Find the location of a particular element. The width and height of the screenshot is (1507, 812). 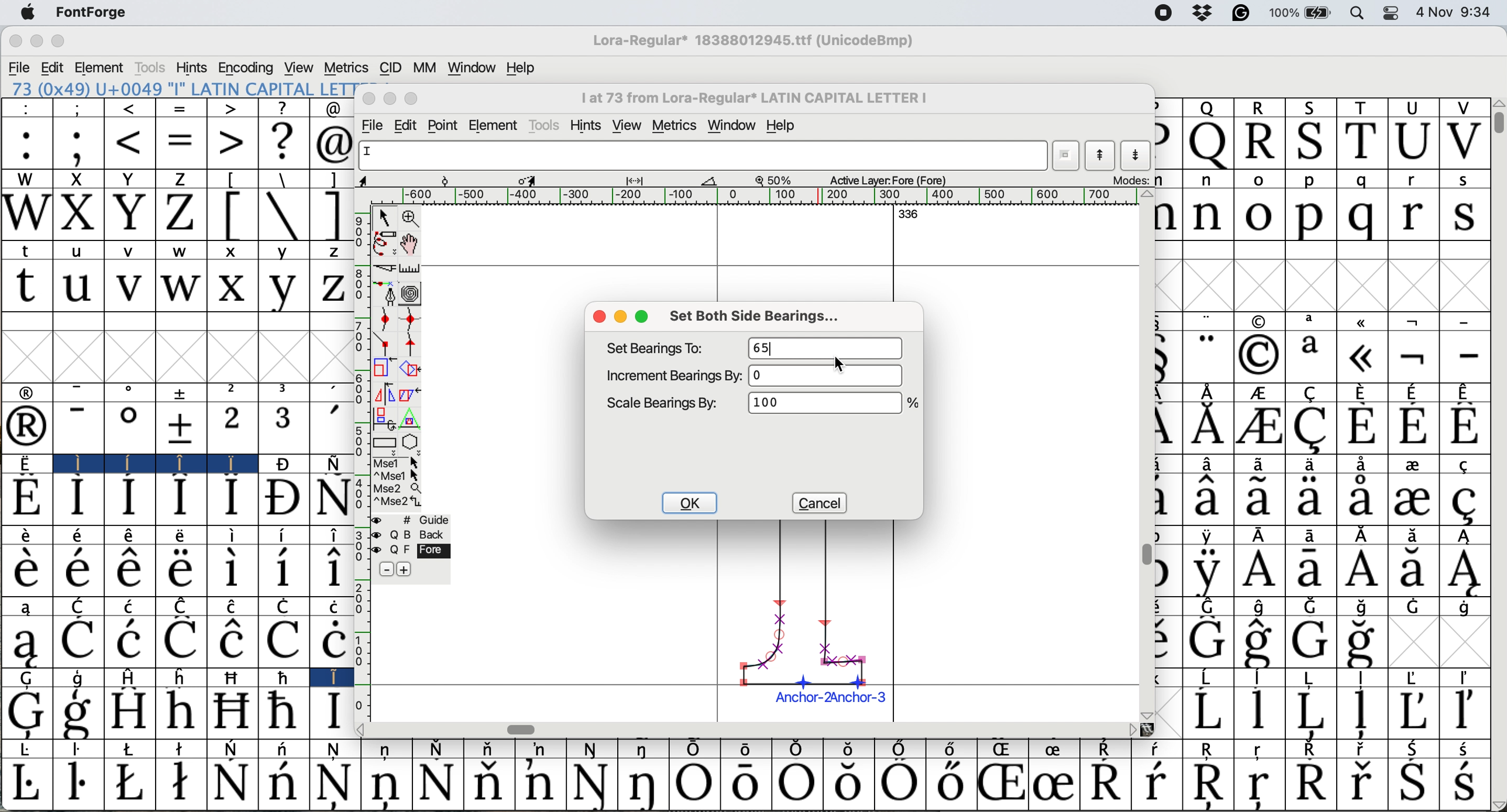

 is located at coordinates (1414, 605).